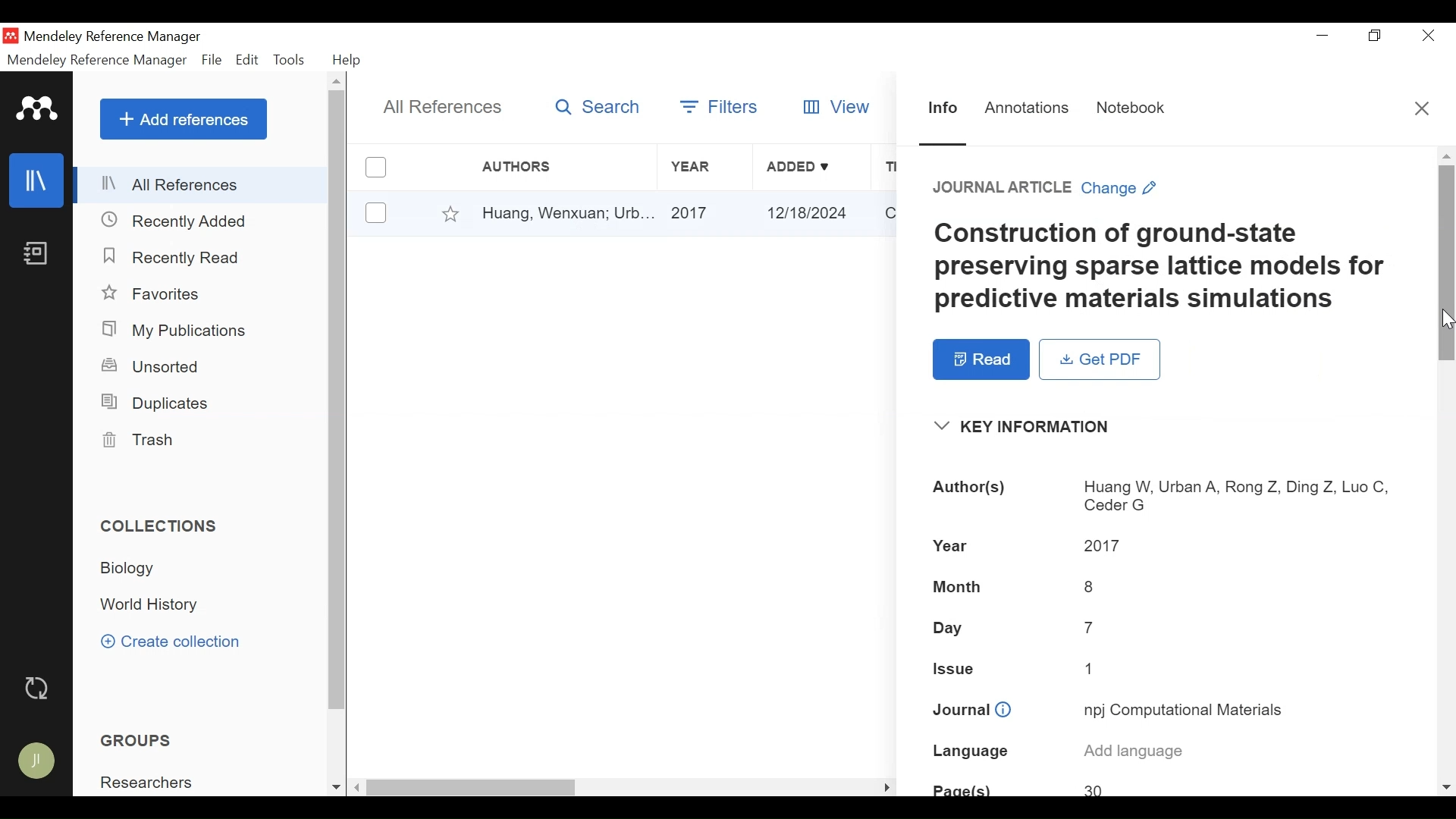 This screenshot has width=1456, height=819. I want to click on 2017, so click(706, 214).